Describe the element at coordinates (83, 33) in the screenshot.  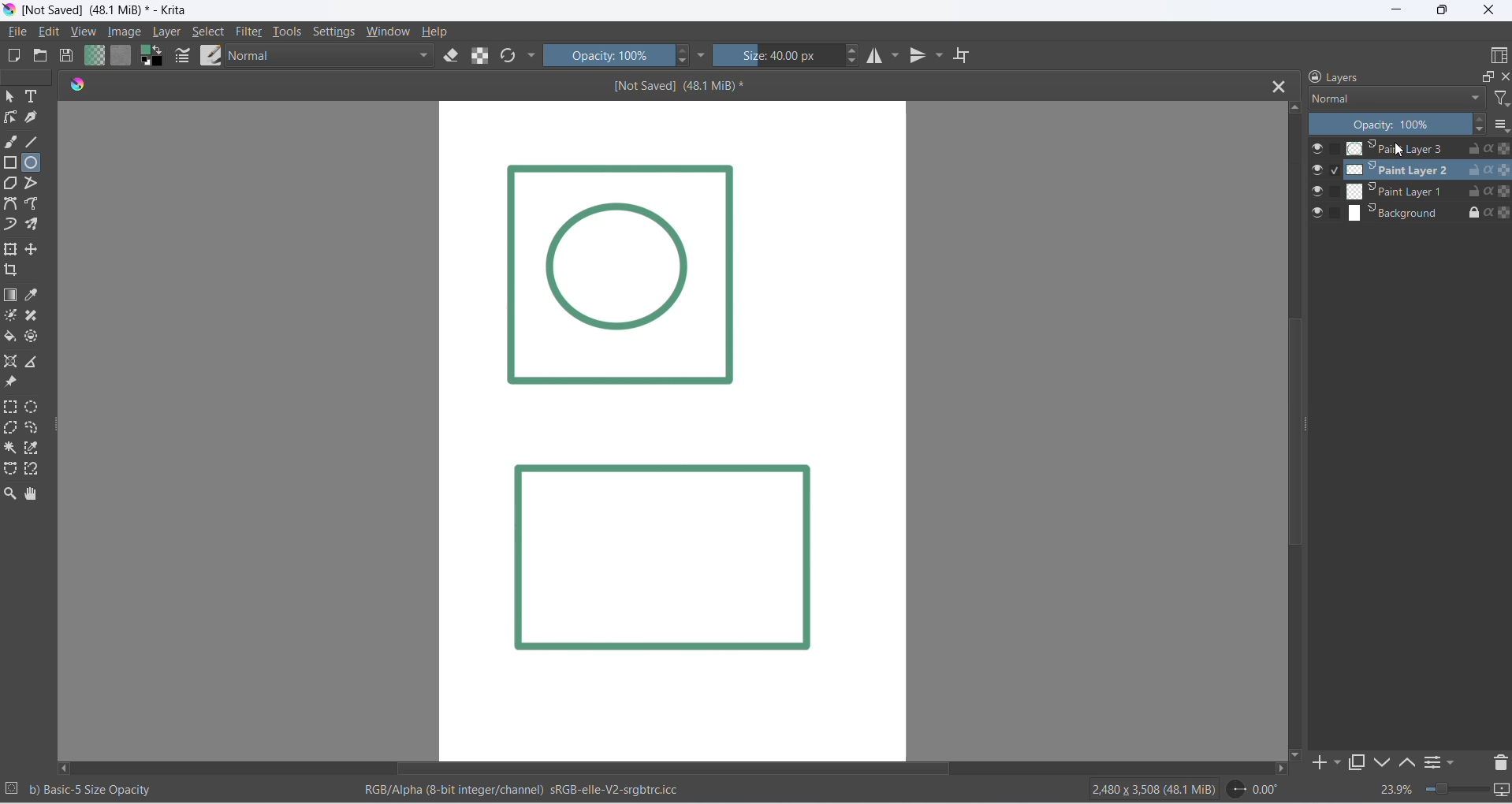
I see `view` at that location.